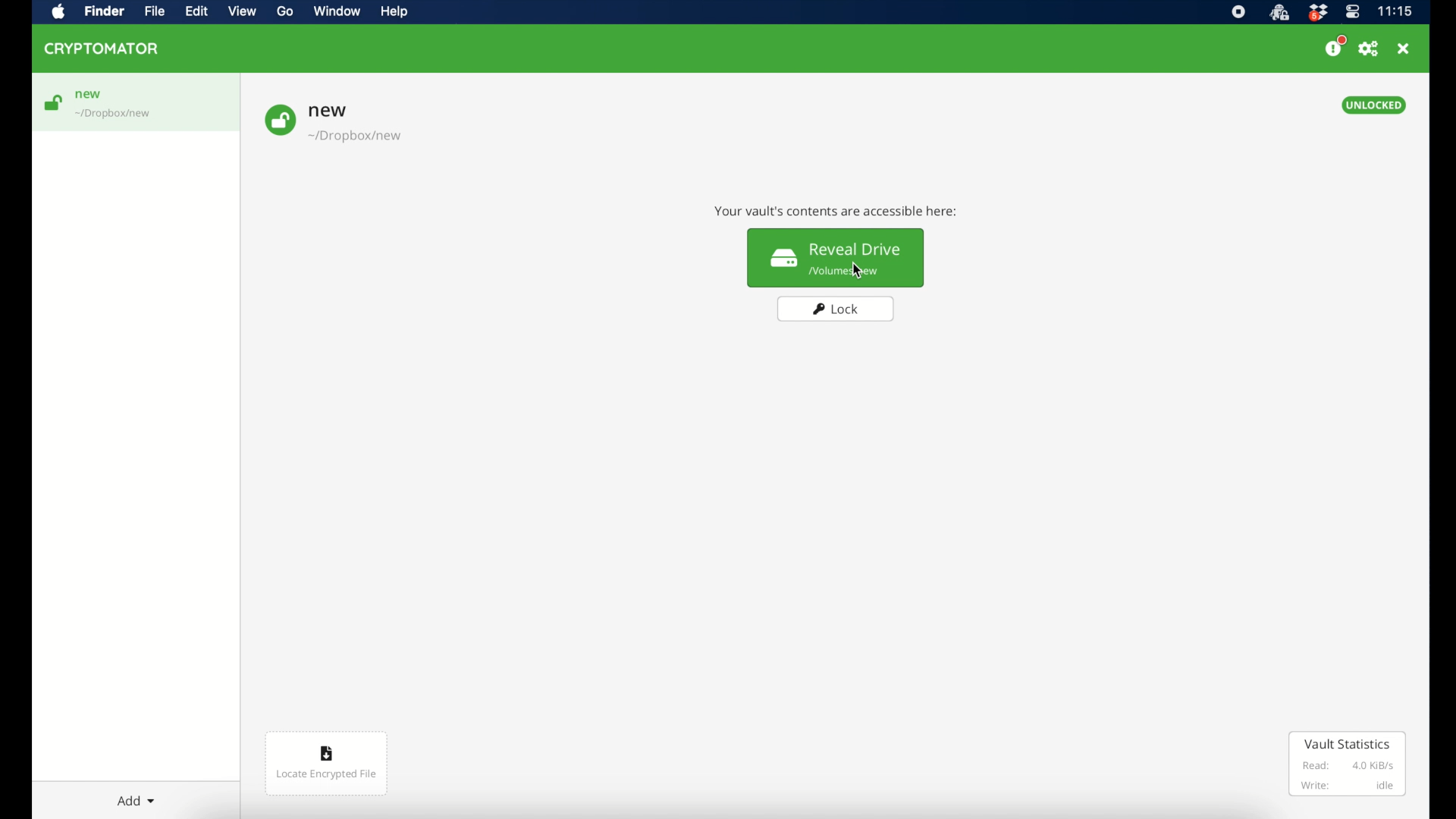 The image size is (1456, 819). I want to click on lock, so click(836, 309).